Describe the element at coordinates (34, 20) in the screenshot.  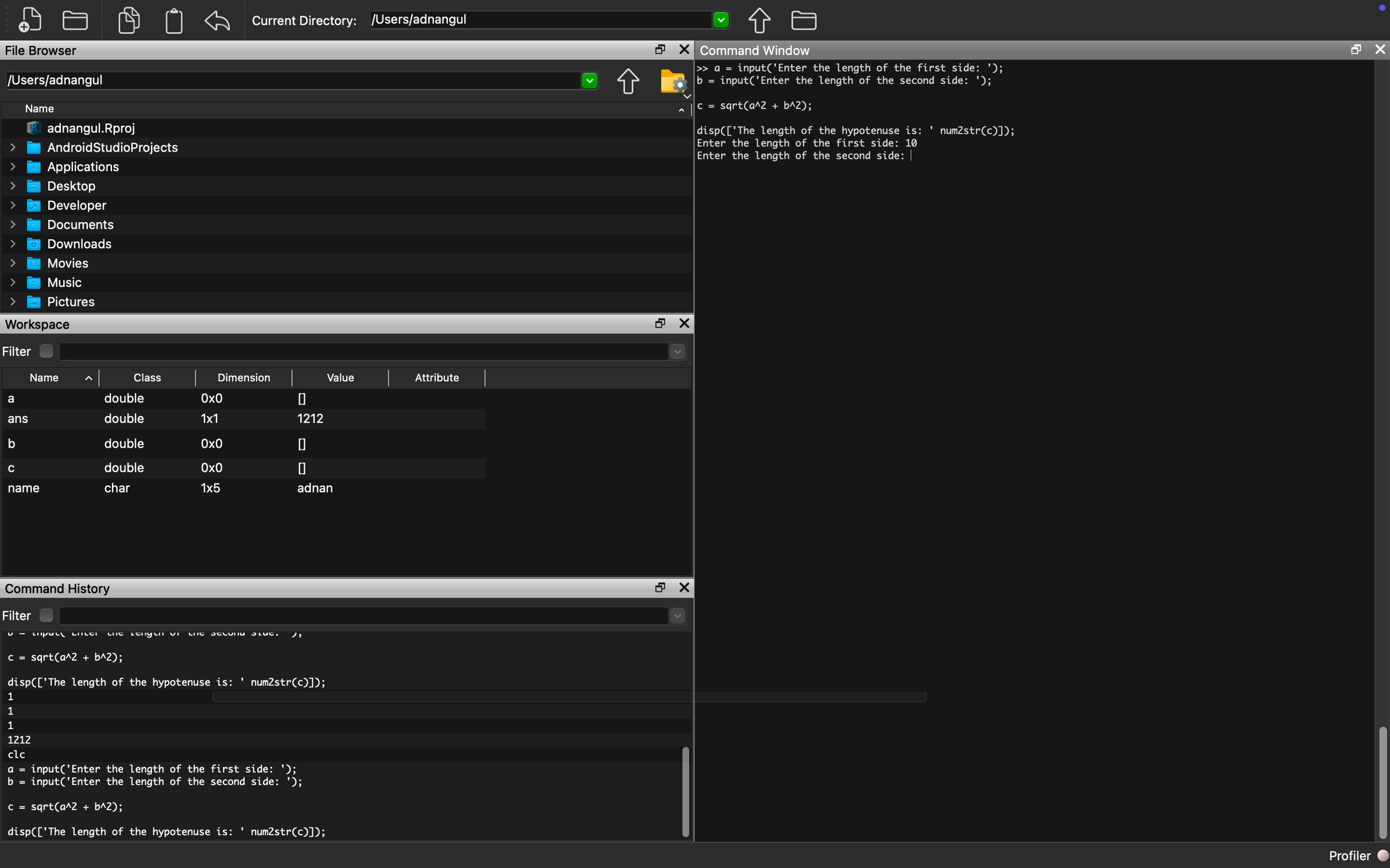
I see `create new` at that location.